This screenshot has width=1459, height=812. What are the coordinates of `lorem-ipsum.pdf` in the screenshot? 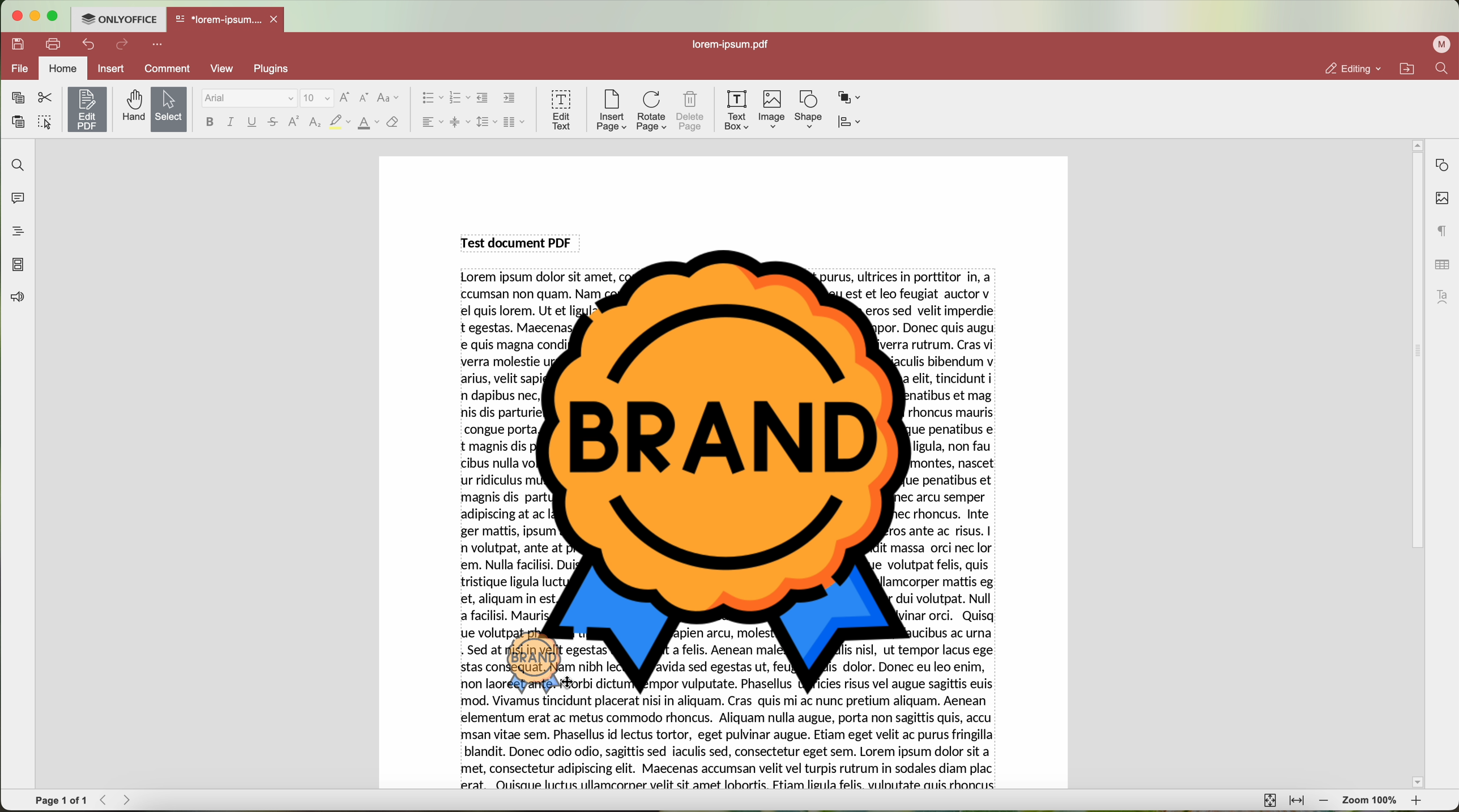 It's located at (735, 44).